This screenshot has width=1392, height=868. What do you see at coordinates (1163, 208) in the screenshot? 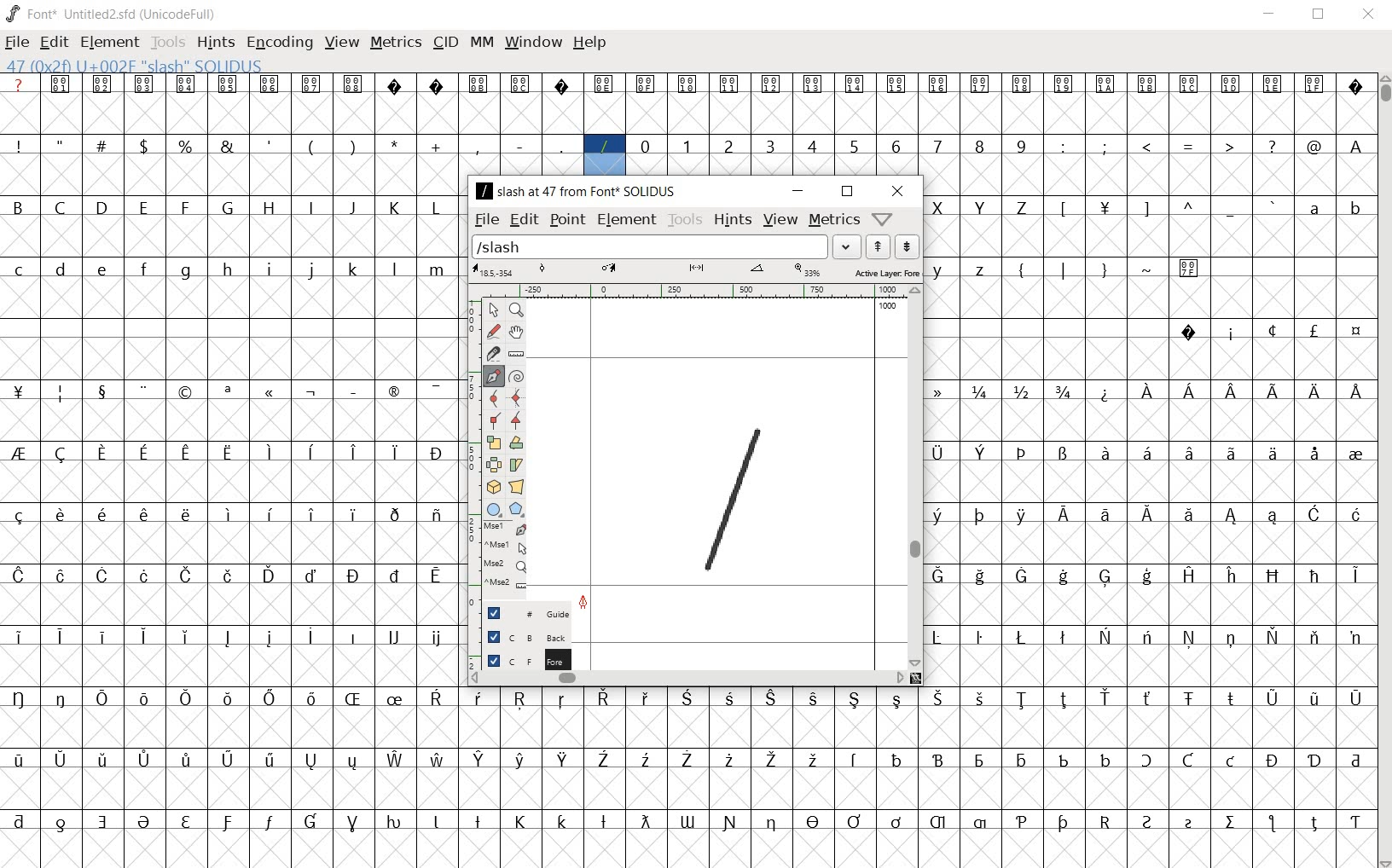
I see `symbols` at bounding box center [1163, 208].